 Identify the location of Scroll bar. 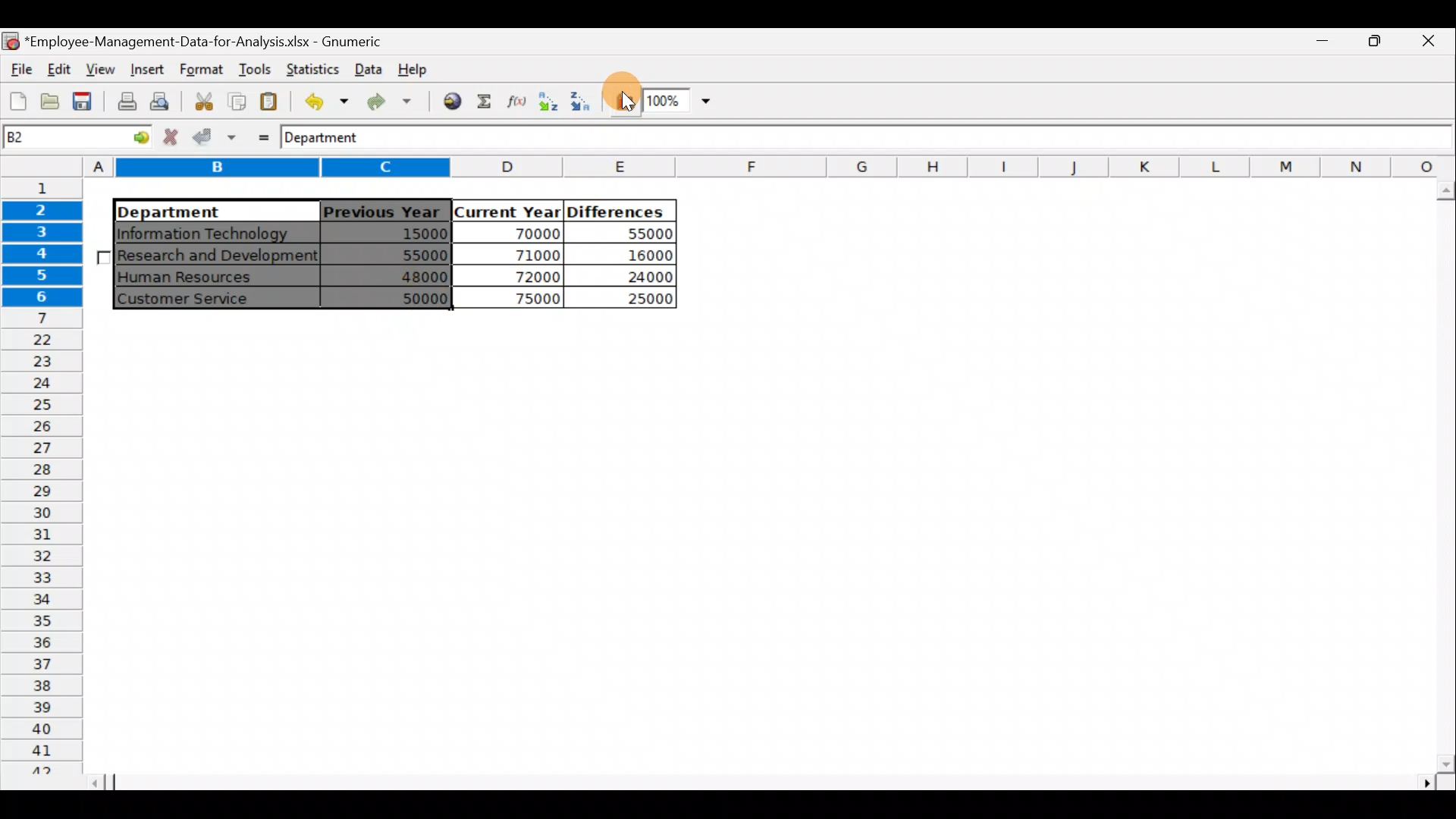
(773, 783).